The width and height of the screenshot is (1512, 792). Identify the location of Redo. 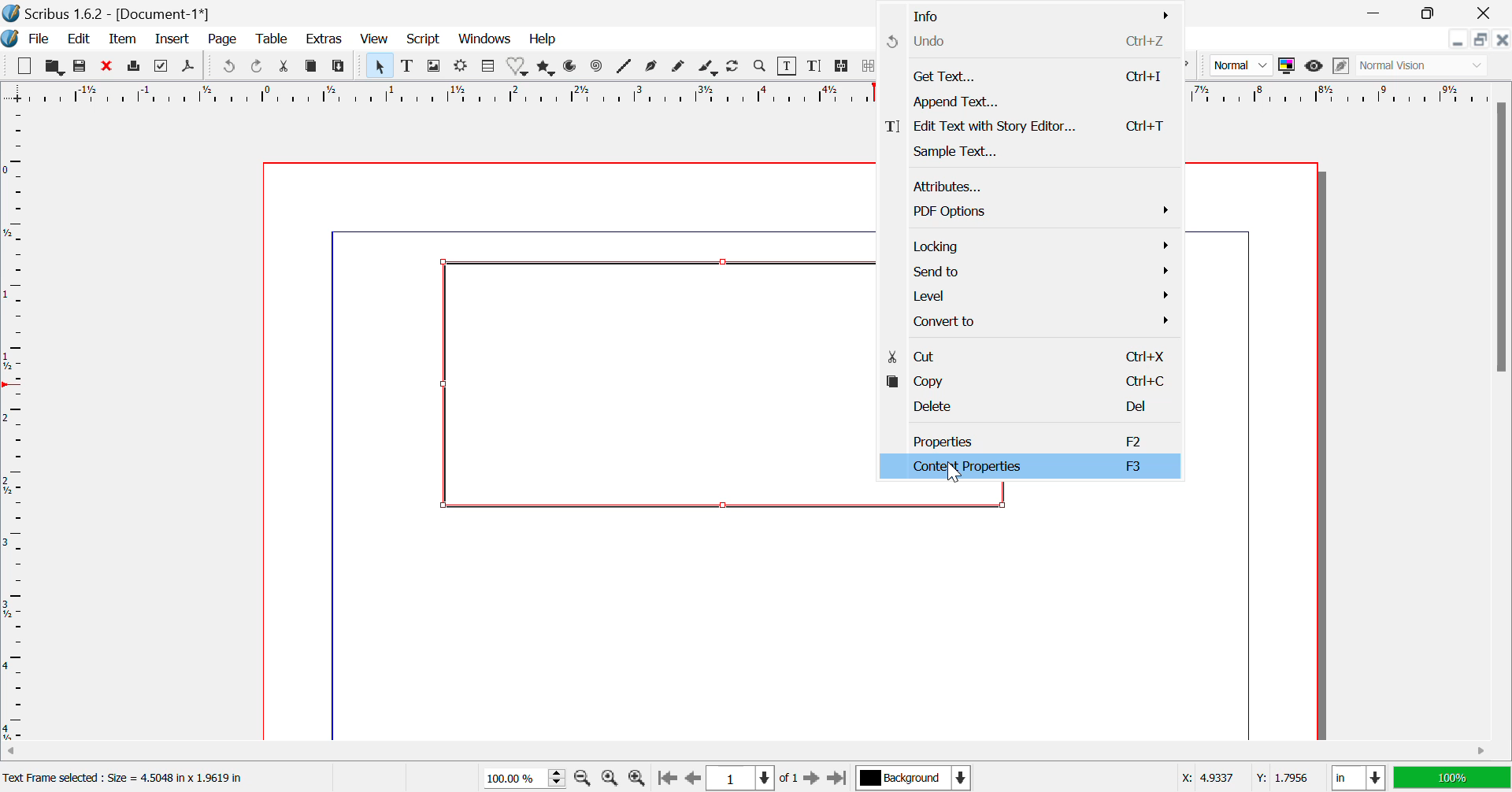
(257, 68).